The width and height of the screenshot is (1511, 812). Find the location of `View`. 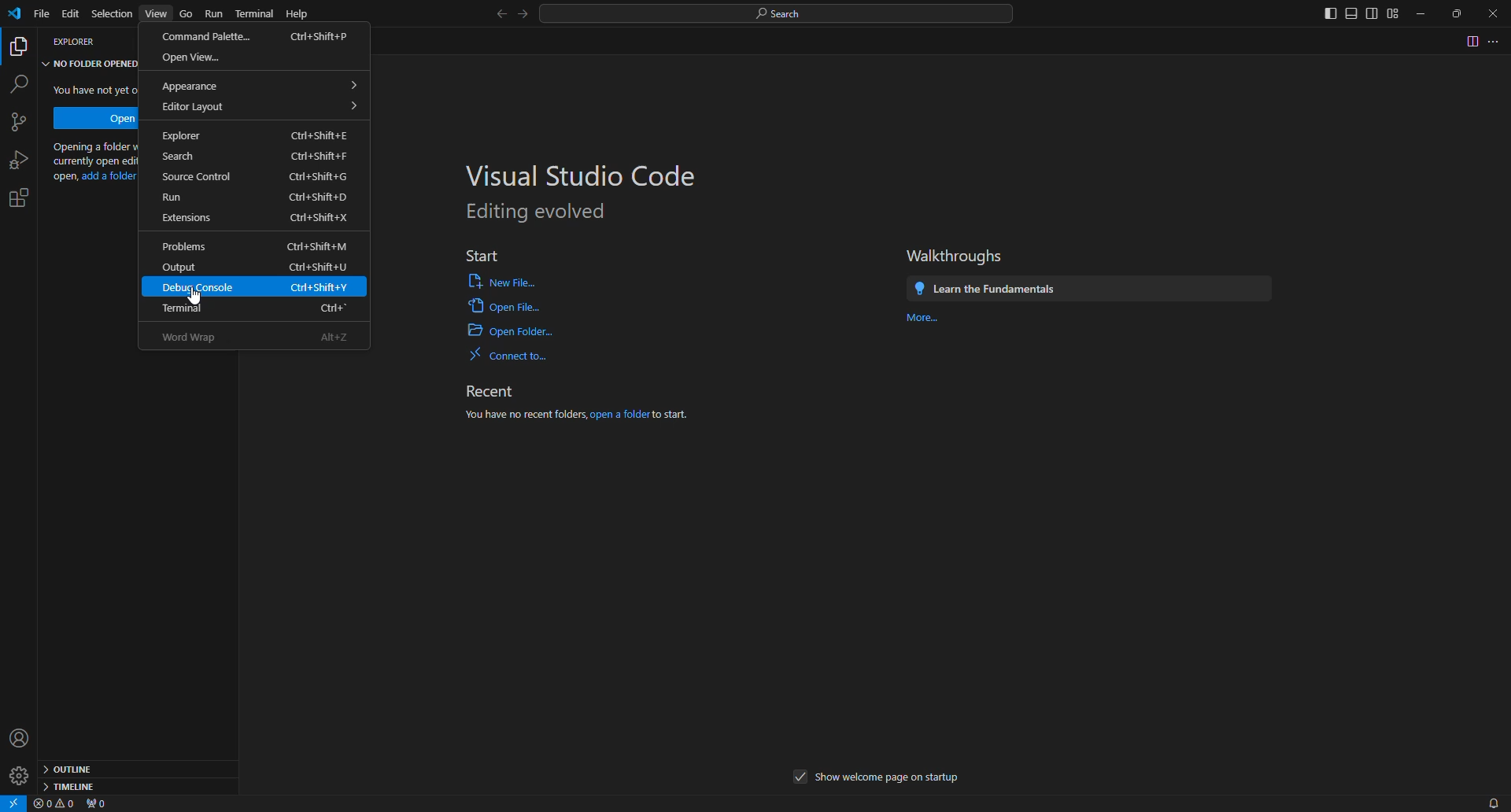

View is located at coordinates (153, 14).